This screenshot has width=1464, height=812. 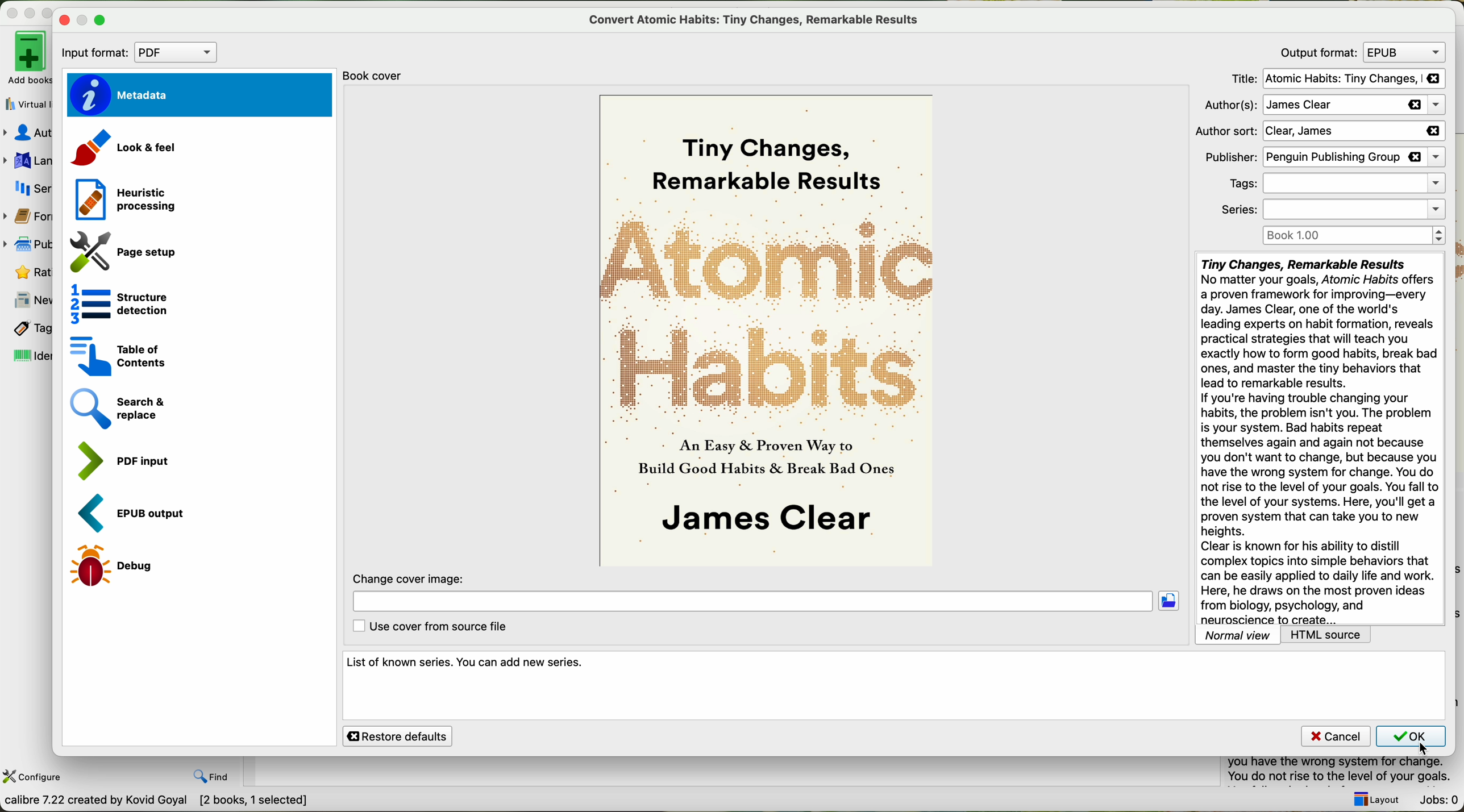 I want to click on MOBI output, so click(x=137, y=514).